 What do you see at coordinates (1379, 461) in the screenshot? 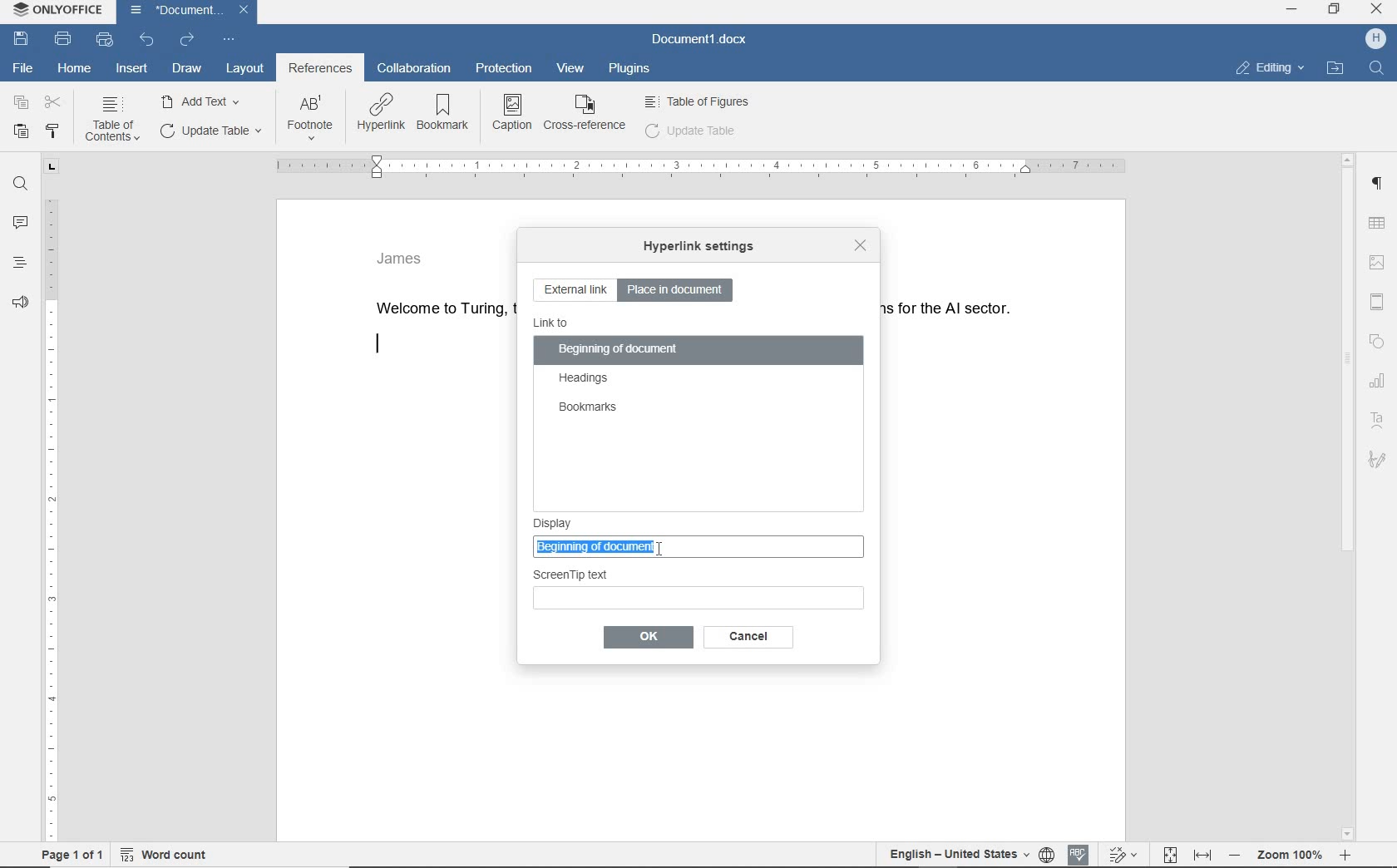
I see `Signature` at bounding box center [1379, 461].